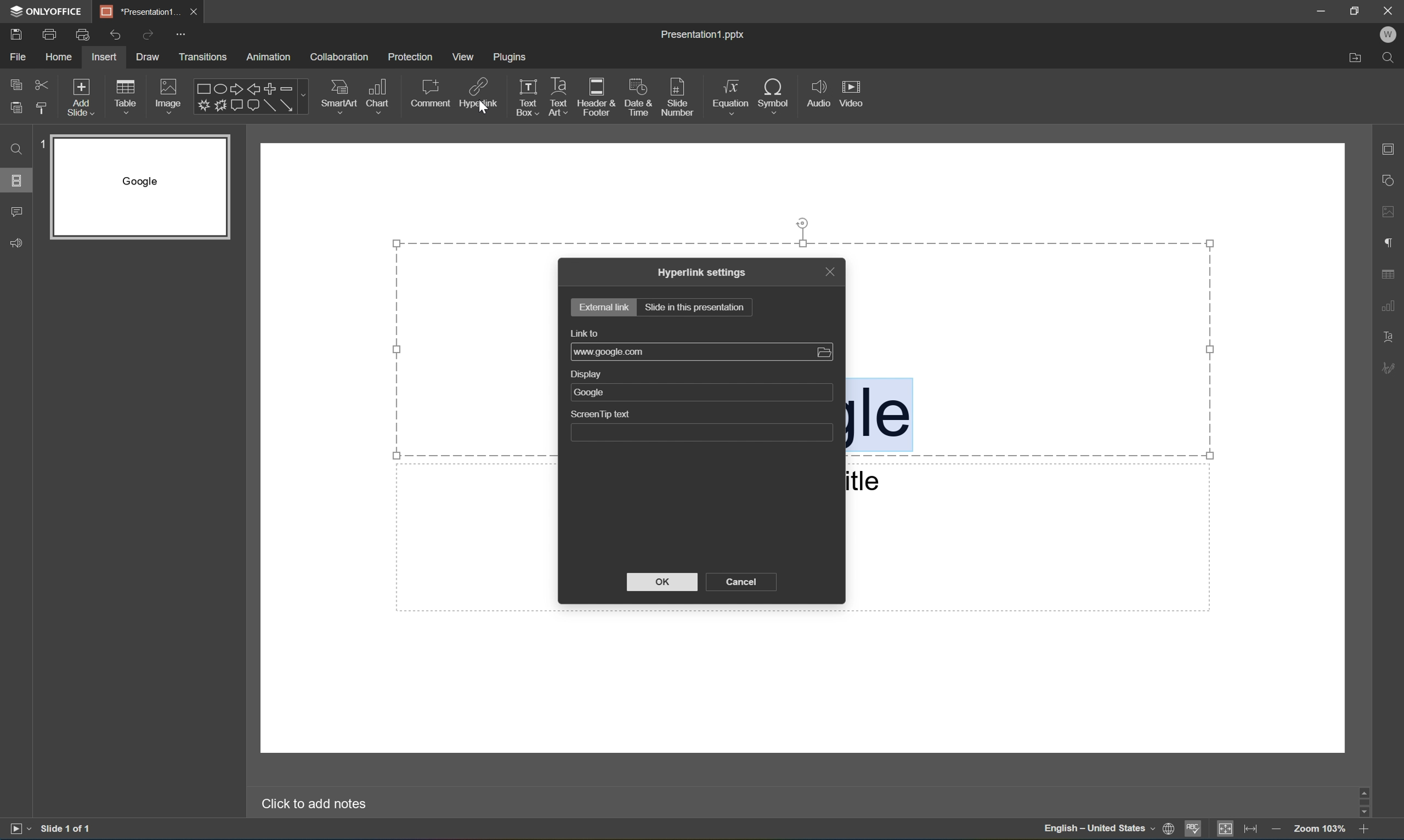  Describe the element at coordinates (682, 96) in the screenshot. I see `Slide number` at that location.